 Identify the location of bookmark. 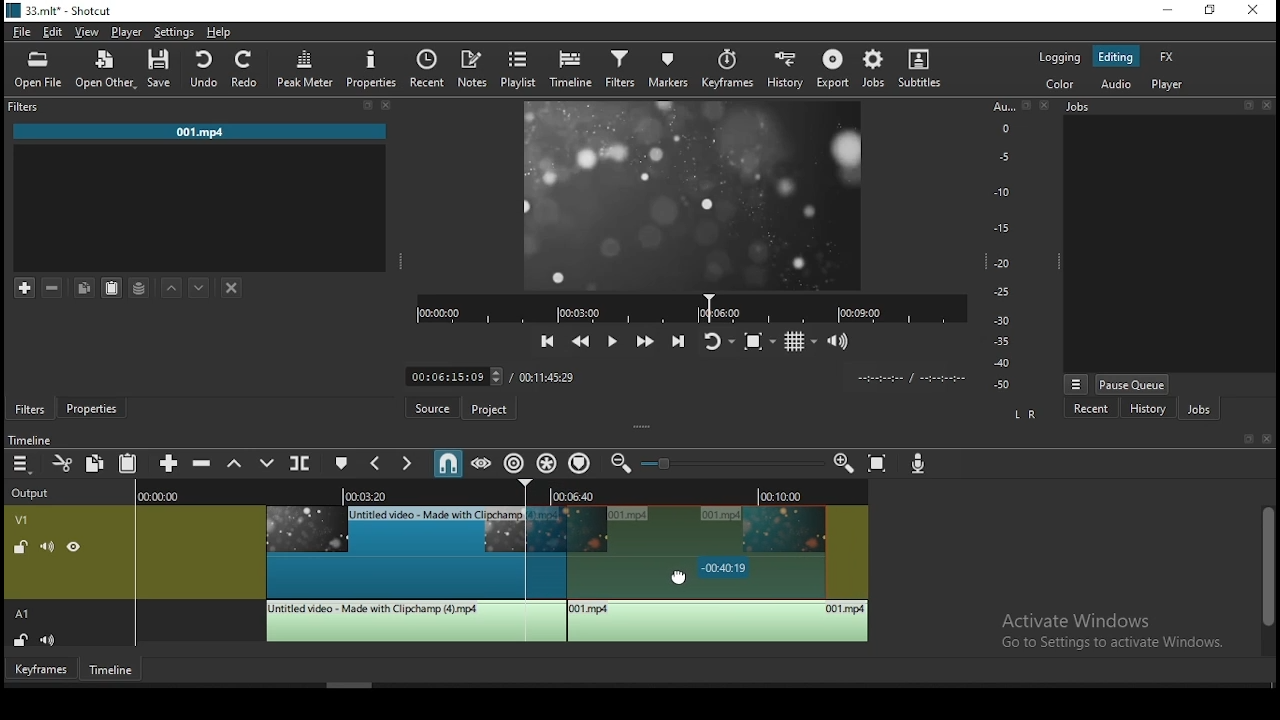
(1244, 439).